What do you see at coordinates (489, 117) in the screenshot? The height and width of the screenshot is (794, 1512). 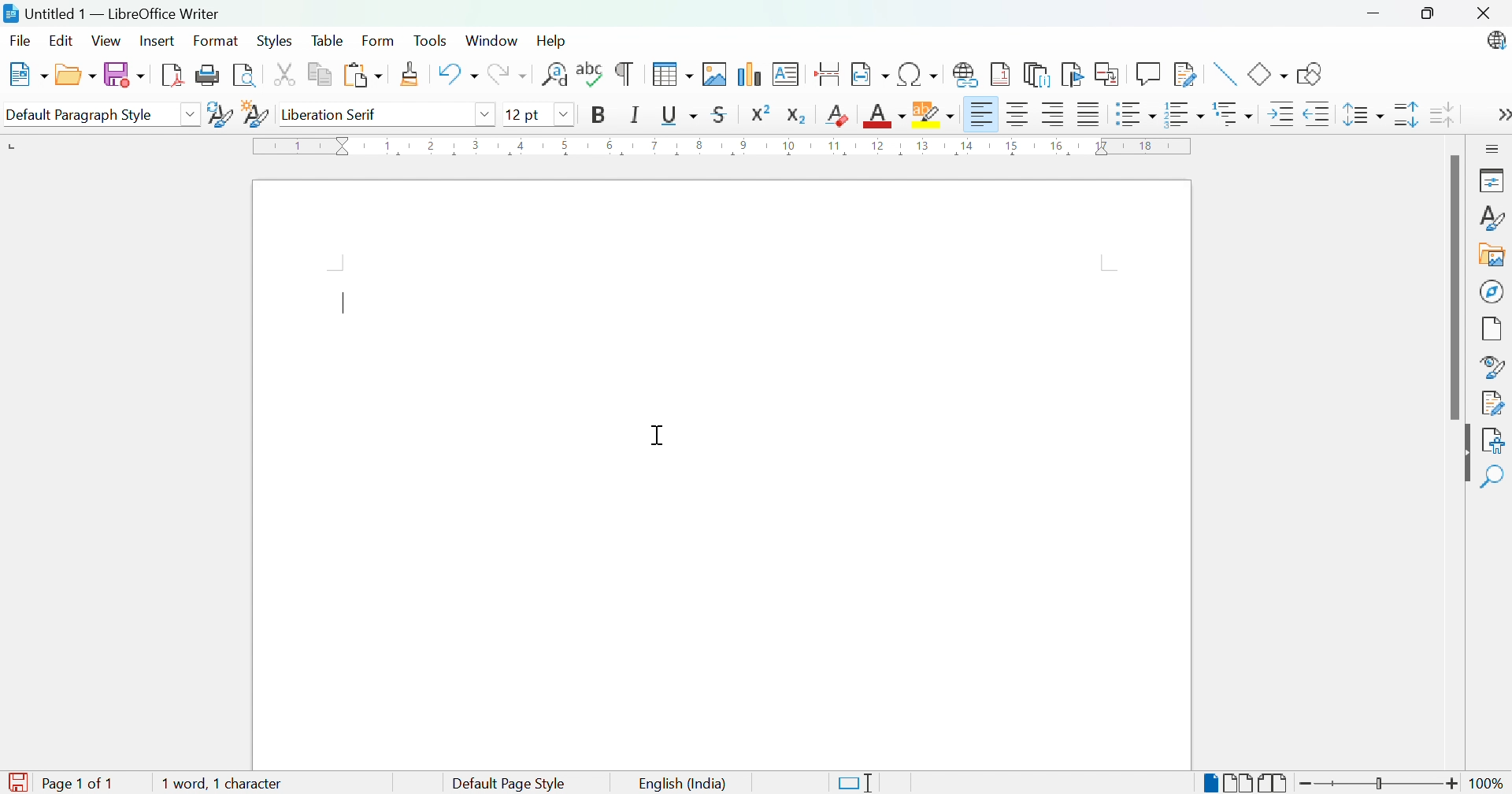 I see `Drop down` at bounding box center [489, 117].